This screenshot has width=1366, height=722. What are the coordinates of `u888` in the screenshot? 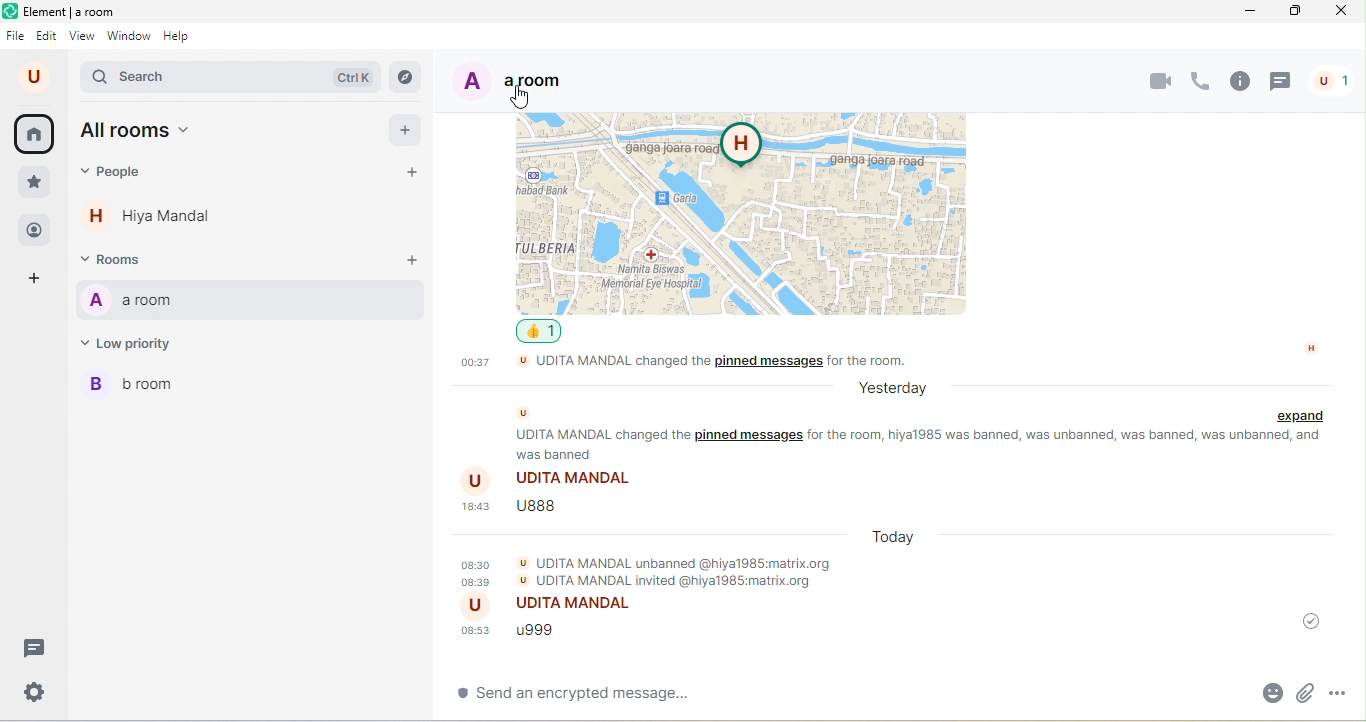 It's located at (516, 512).